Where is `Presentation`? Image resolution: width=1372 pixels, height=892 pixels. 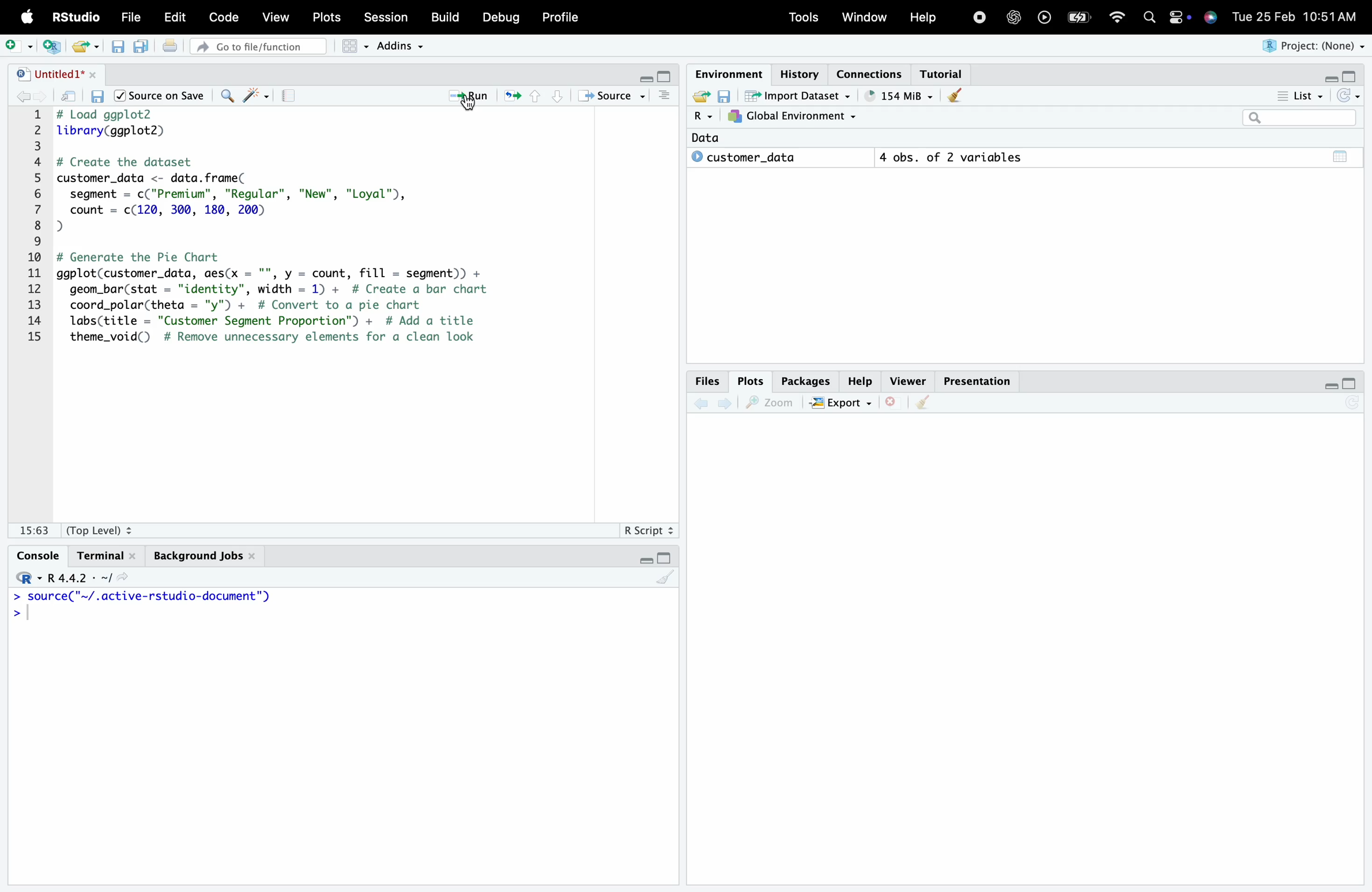
Presentation is located at coordinates (976, 379).